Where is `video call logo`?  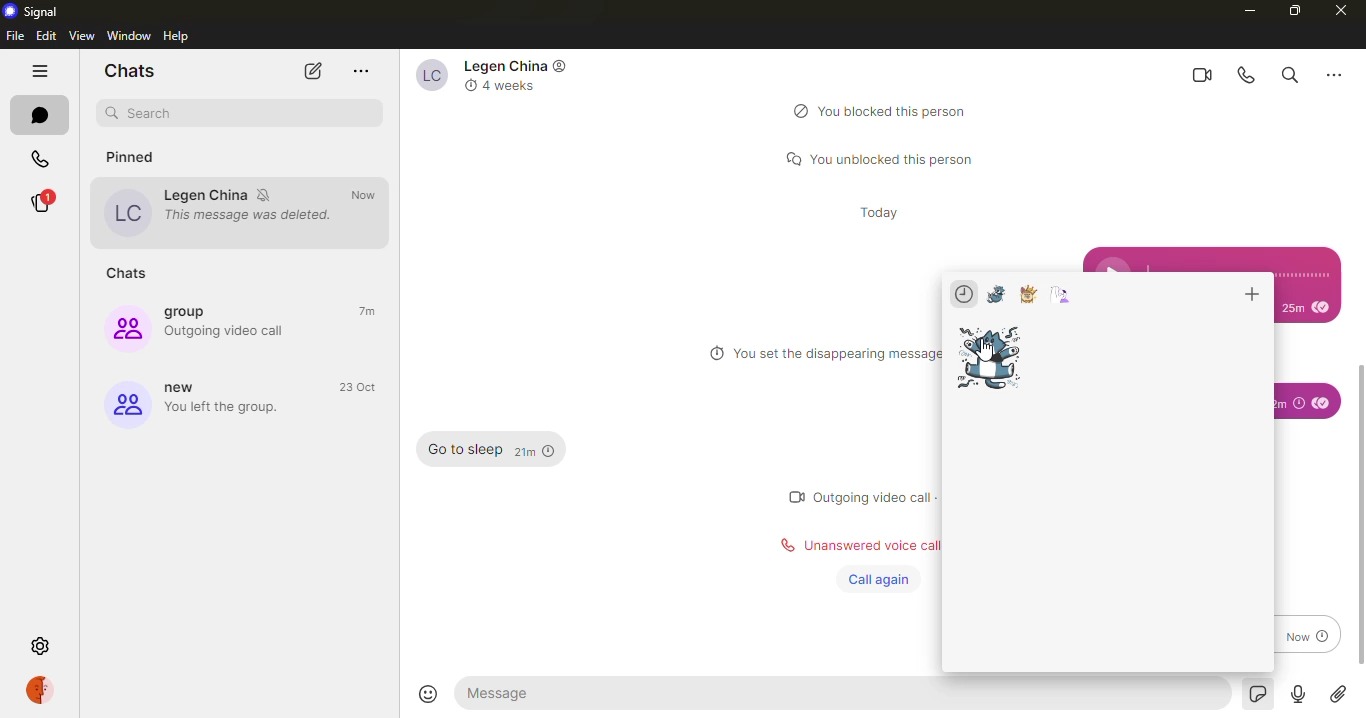 video call logo is located at coordinates (794, 496).